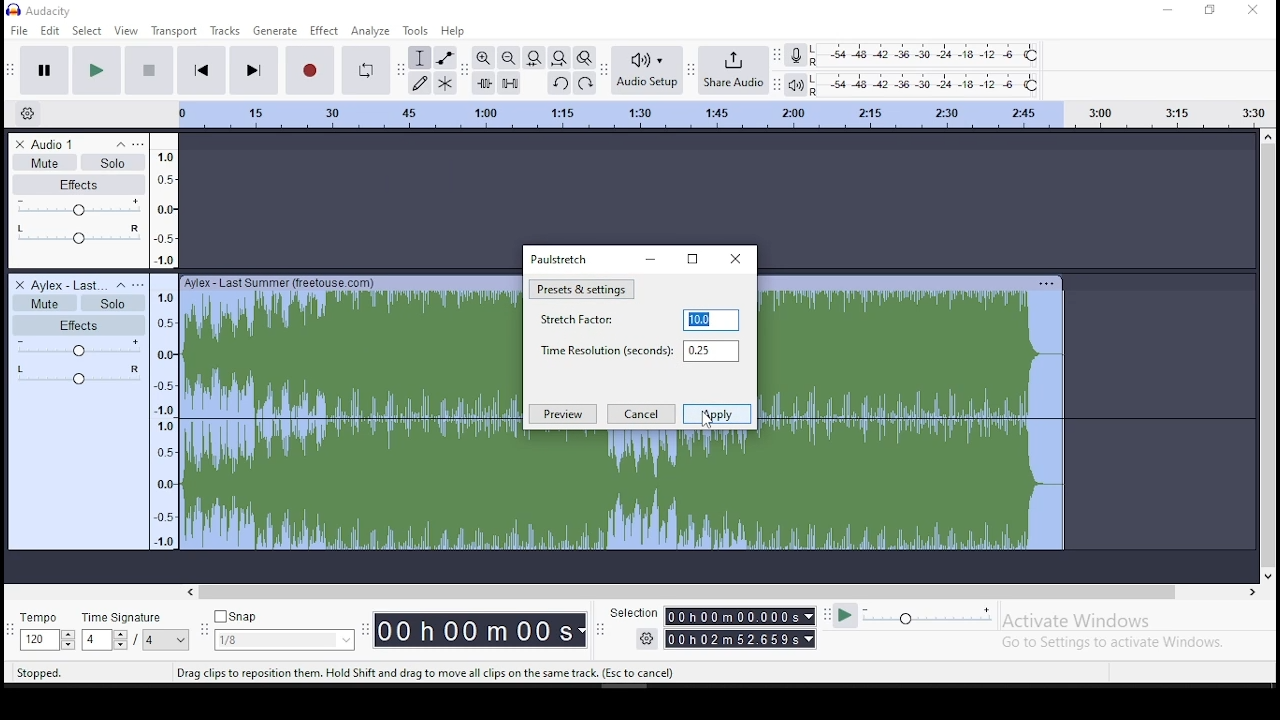 The width and height of the screenshot is (1280, 720). Describe the element at coordinates (637, 319) in the screenshot. I see `stretch factor` at that location.